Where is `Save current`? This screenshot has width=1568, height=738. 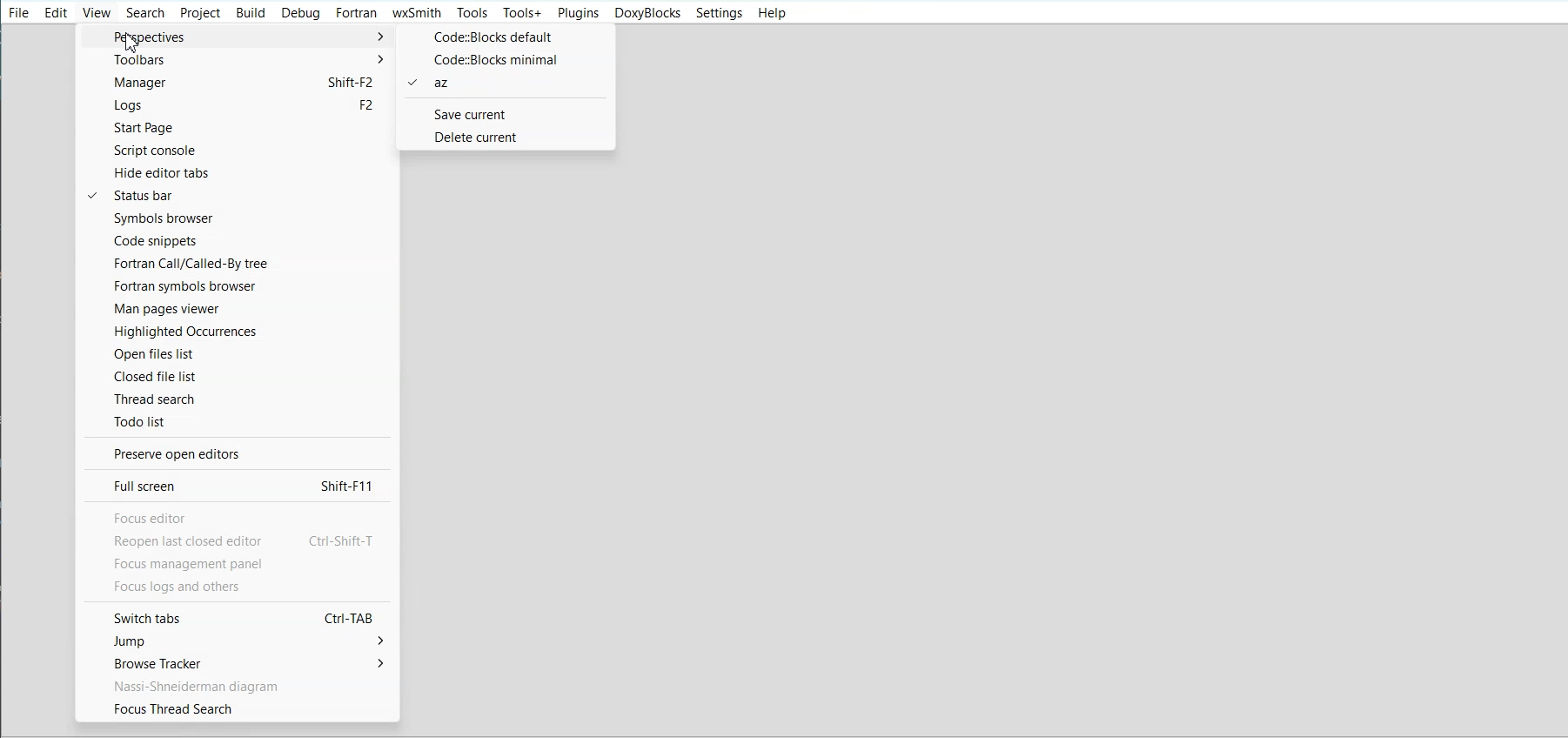 Save current is located at coordinates (500, 113).